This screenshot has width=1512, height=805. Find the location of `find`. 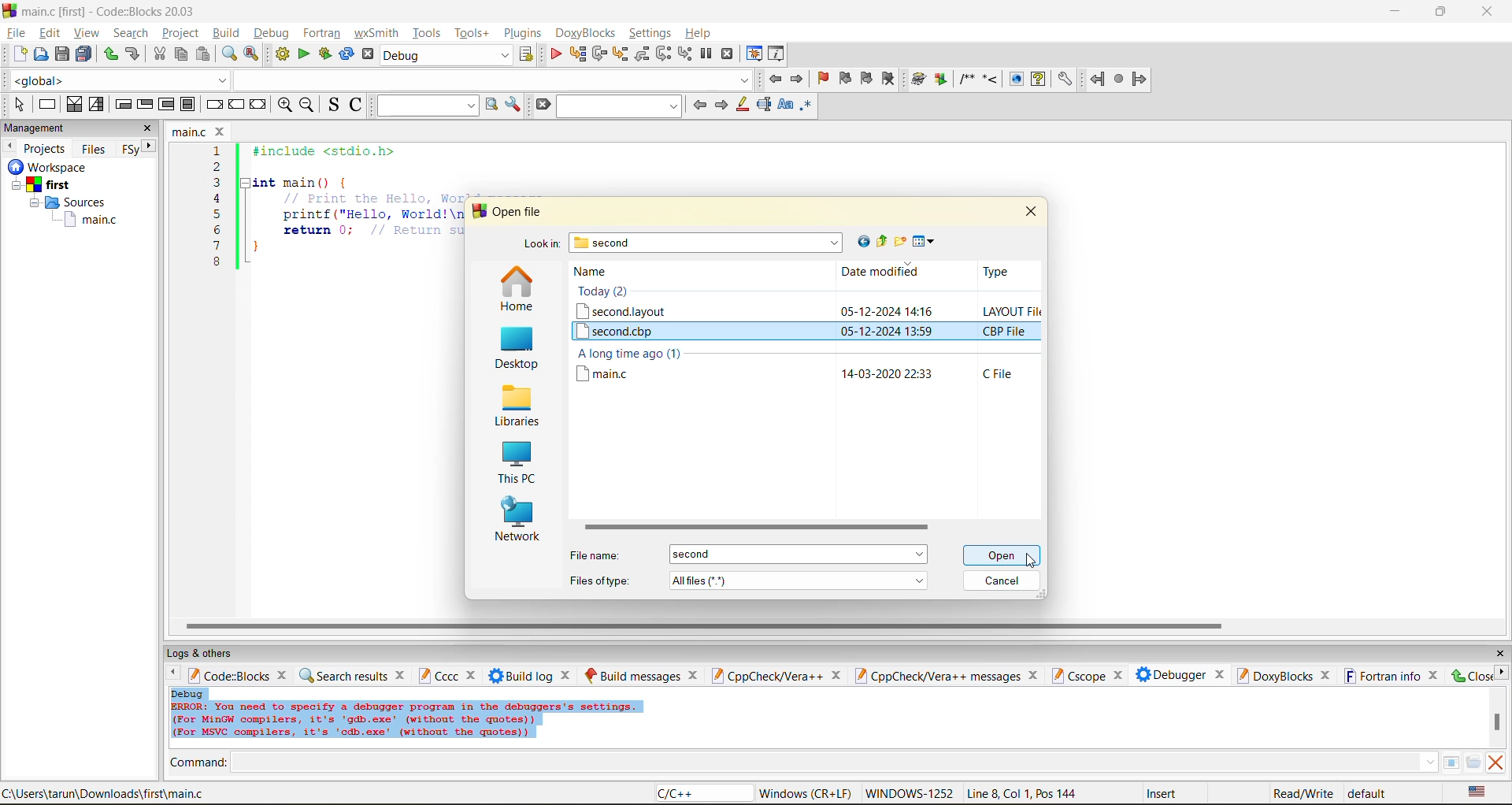

find is located at coordinates (228, 54).